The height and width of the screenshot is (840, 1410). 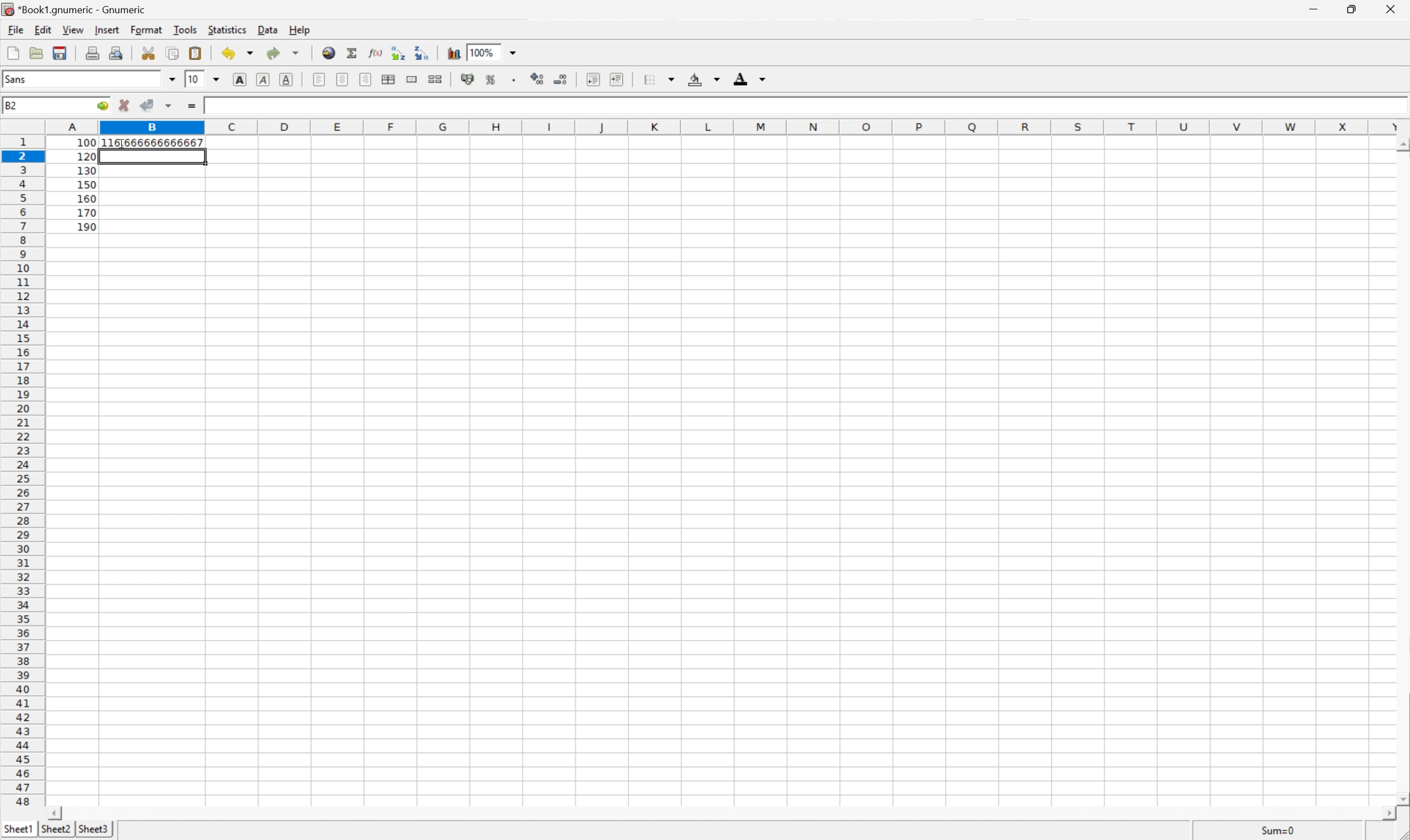 What do you see at coordinates (86, 170) in the screenshot?
I see `130` at bounding box center [86, 170].